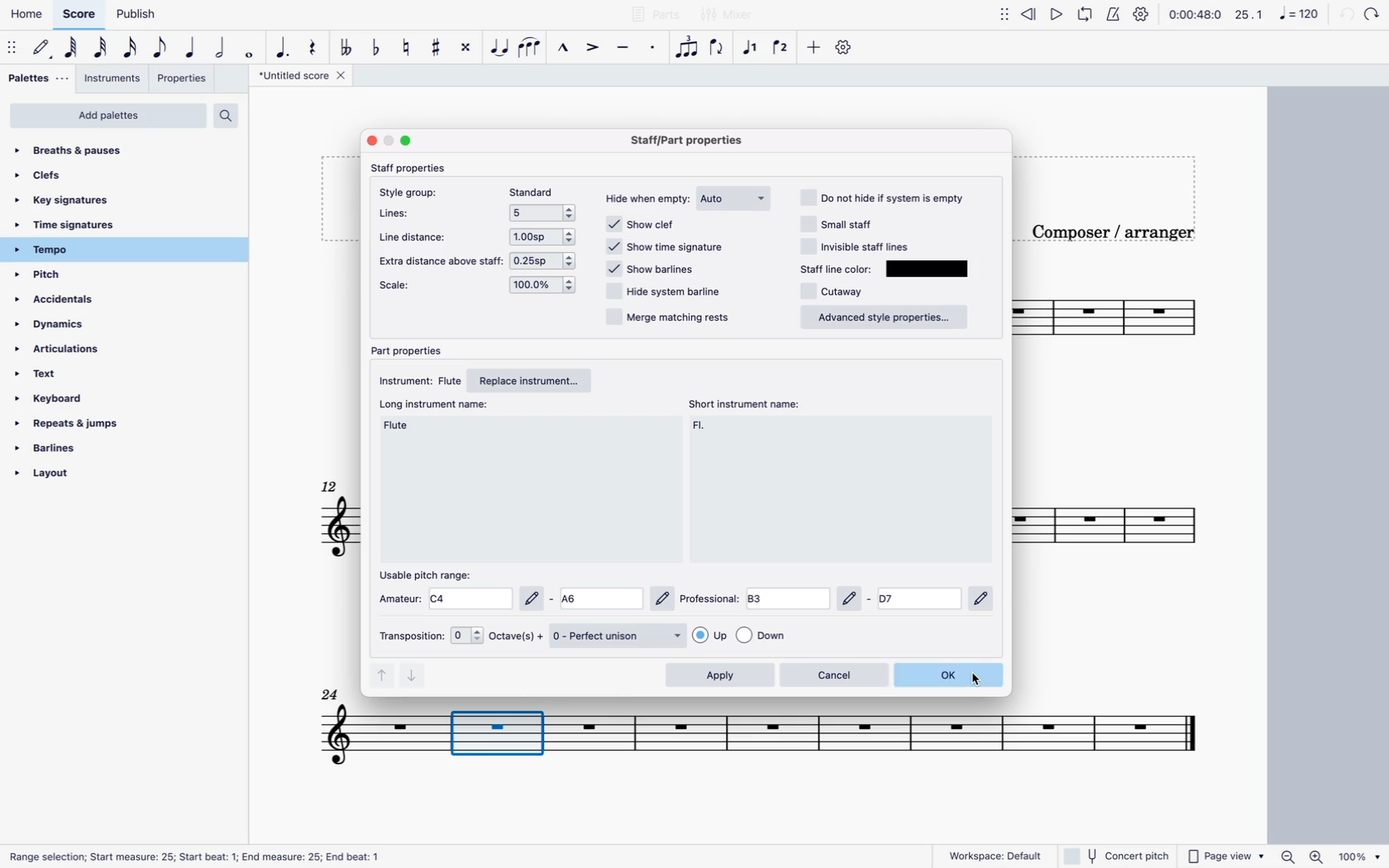 The height and width of the screenshot is (868, 1389). Describe the element at coordinates (882, 197) in the screenshot. I see `do not hide` at that location.